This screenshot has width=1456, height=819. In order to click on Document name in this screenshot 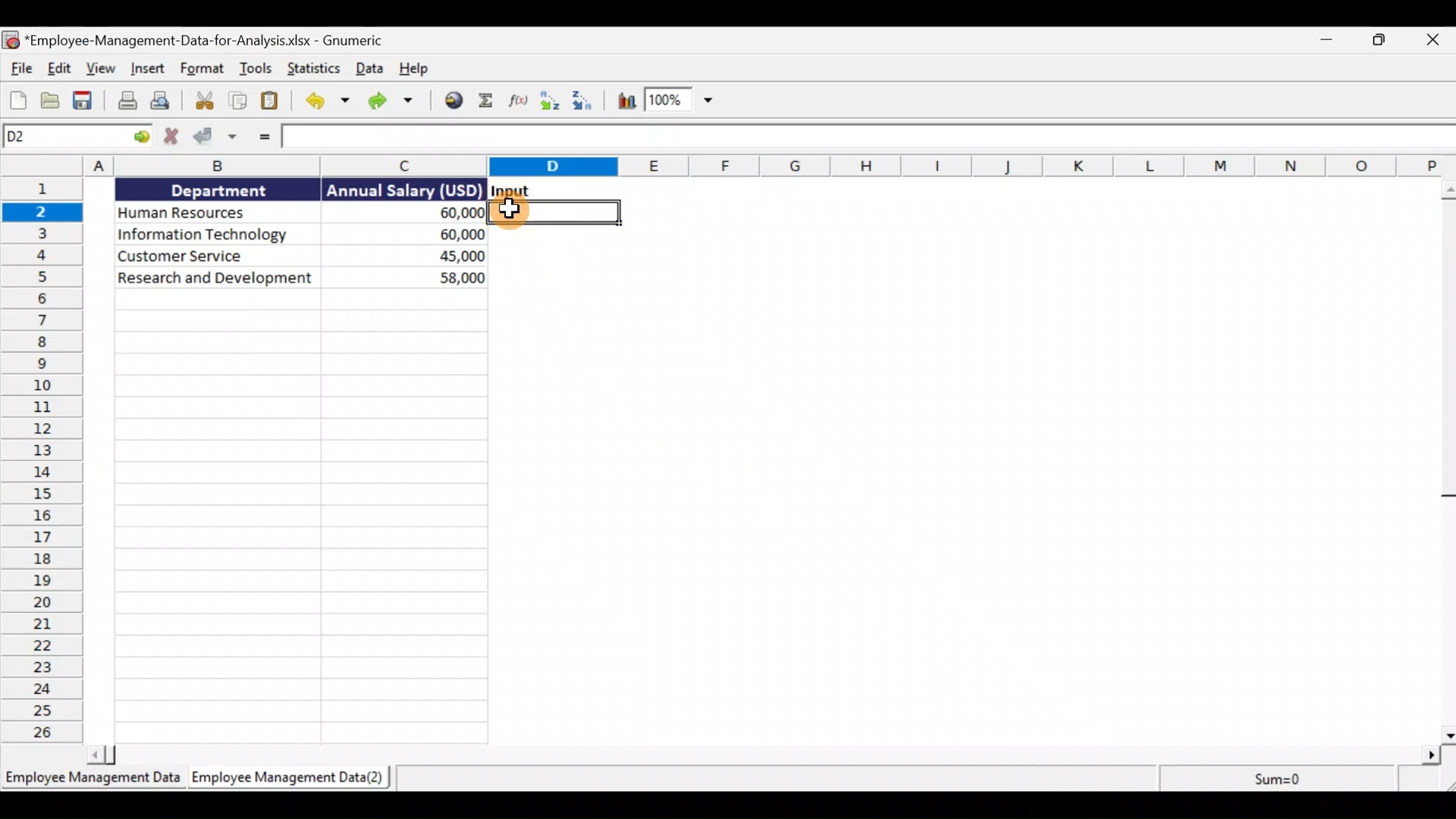, I will do `click(193, 40)`.